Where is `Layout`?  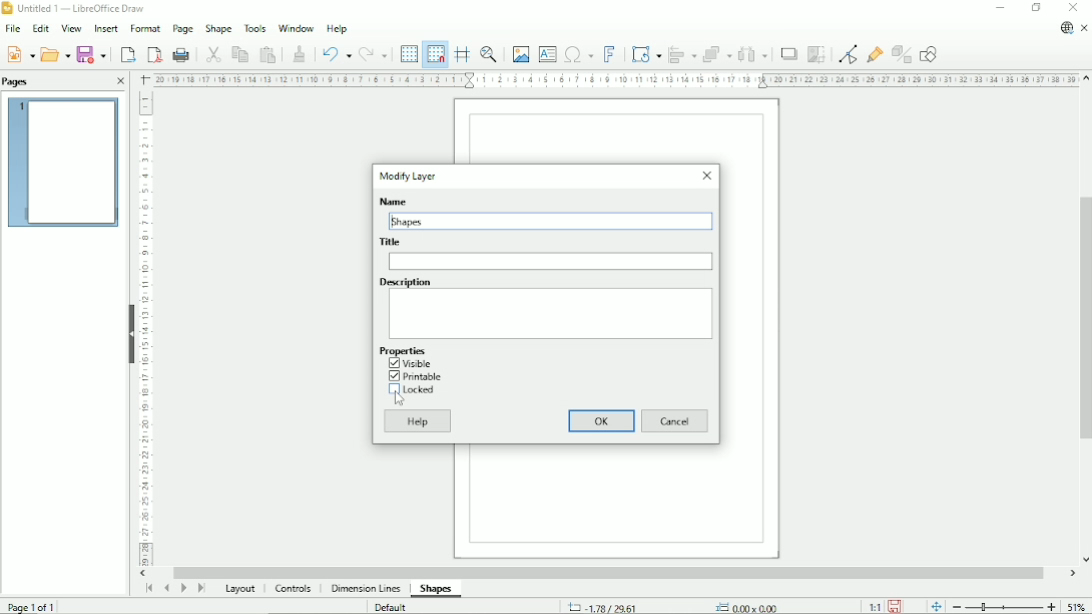
Layout is located at coordinates (238, 590).